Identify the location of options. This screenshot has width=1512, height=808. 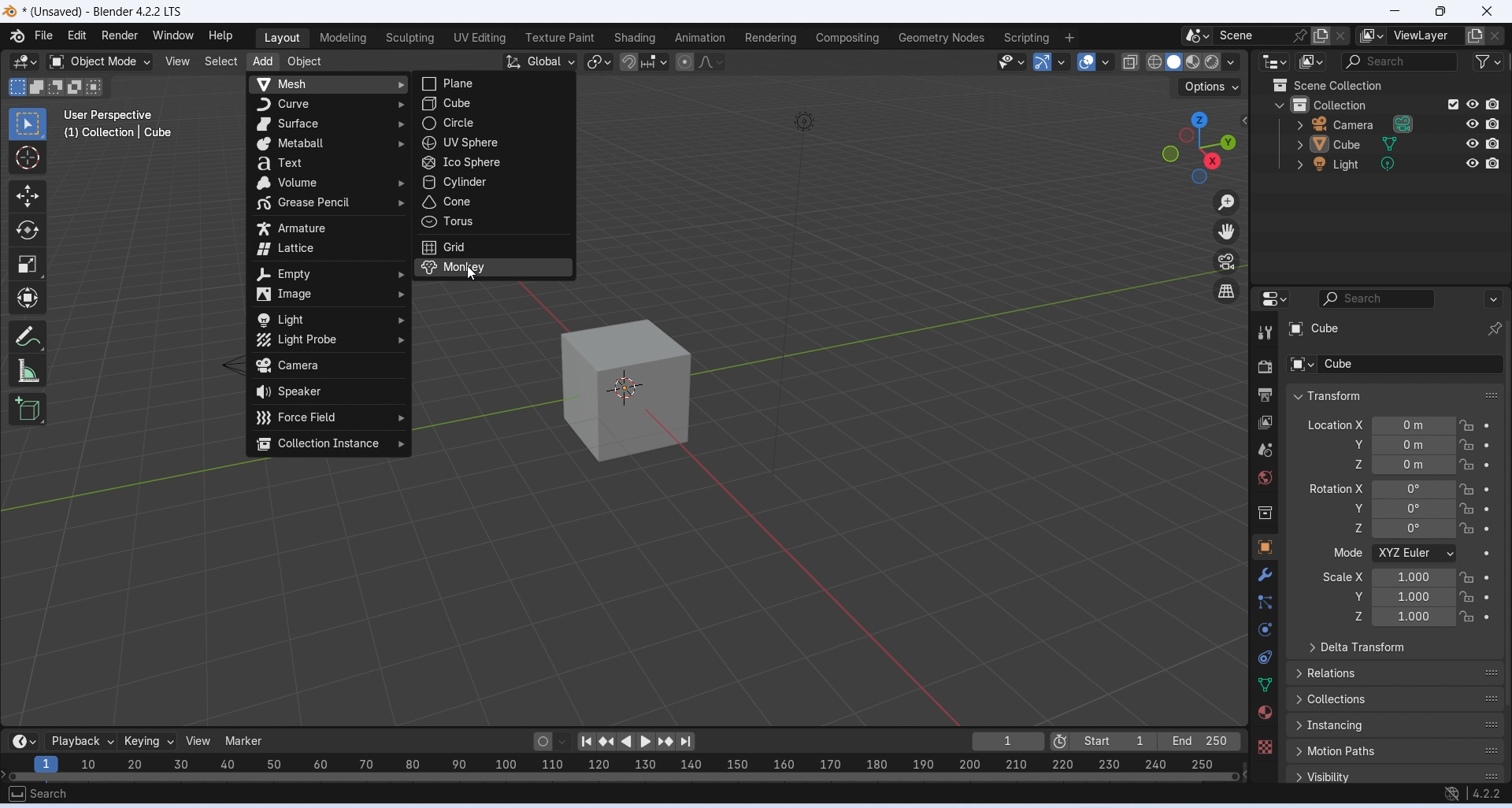
(1492, 298).